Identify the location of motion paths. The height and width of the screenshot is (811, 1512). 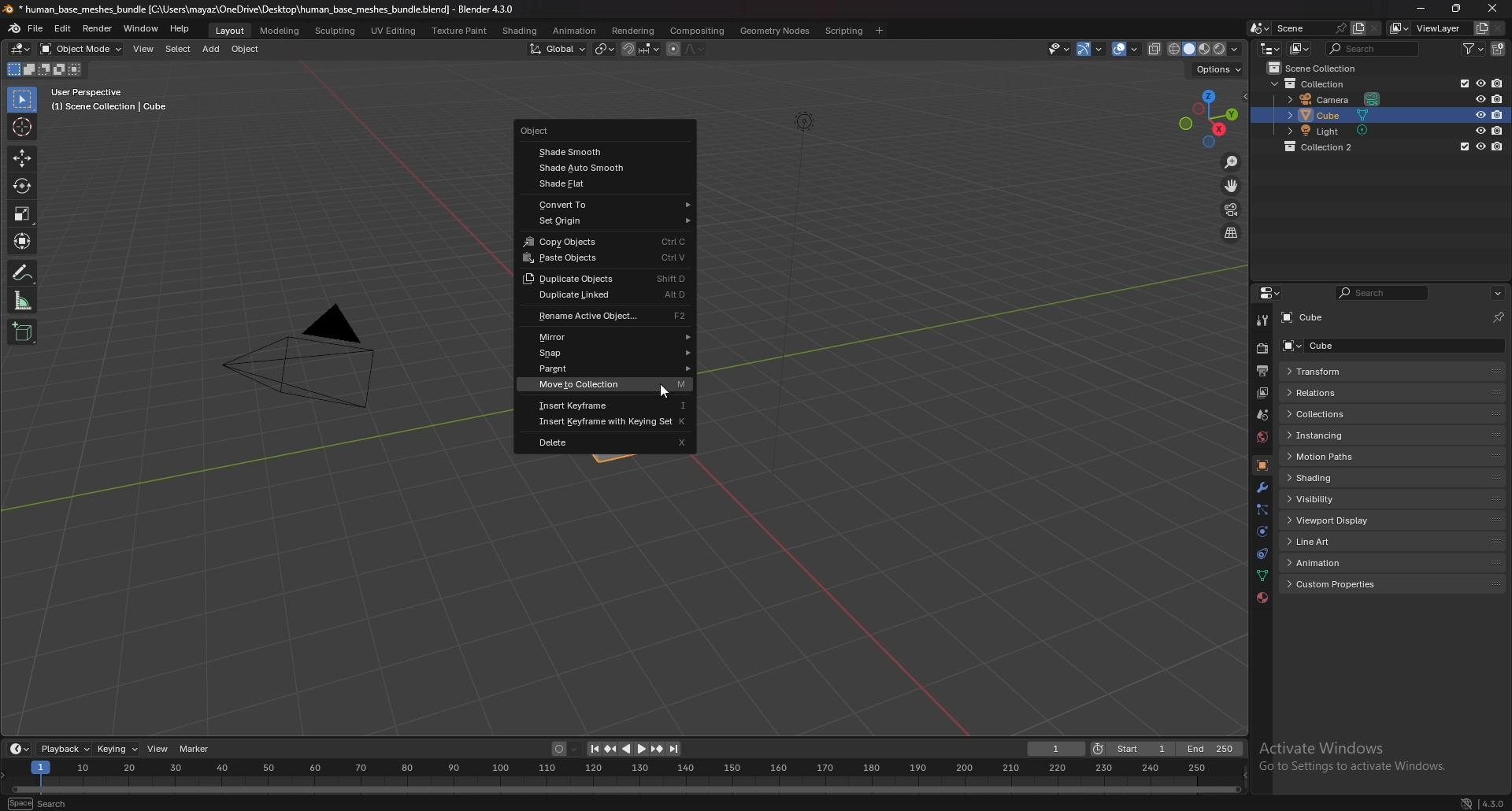
(1345, 457).